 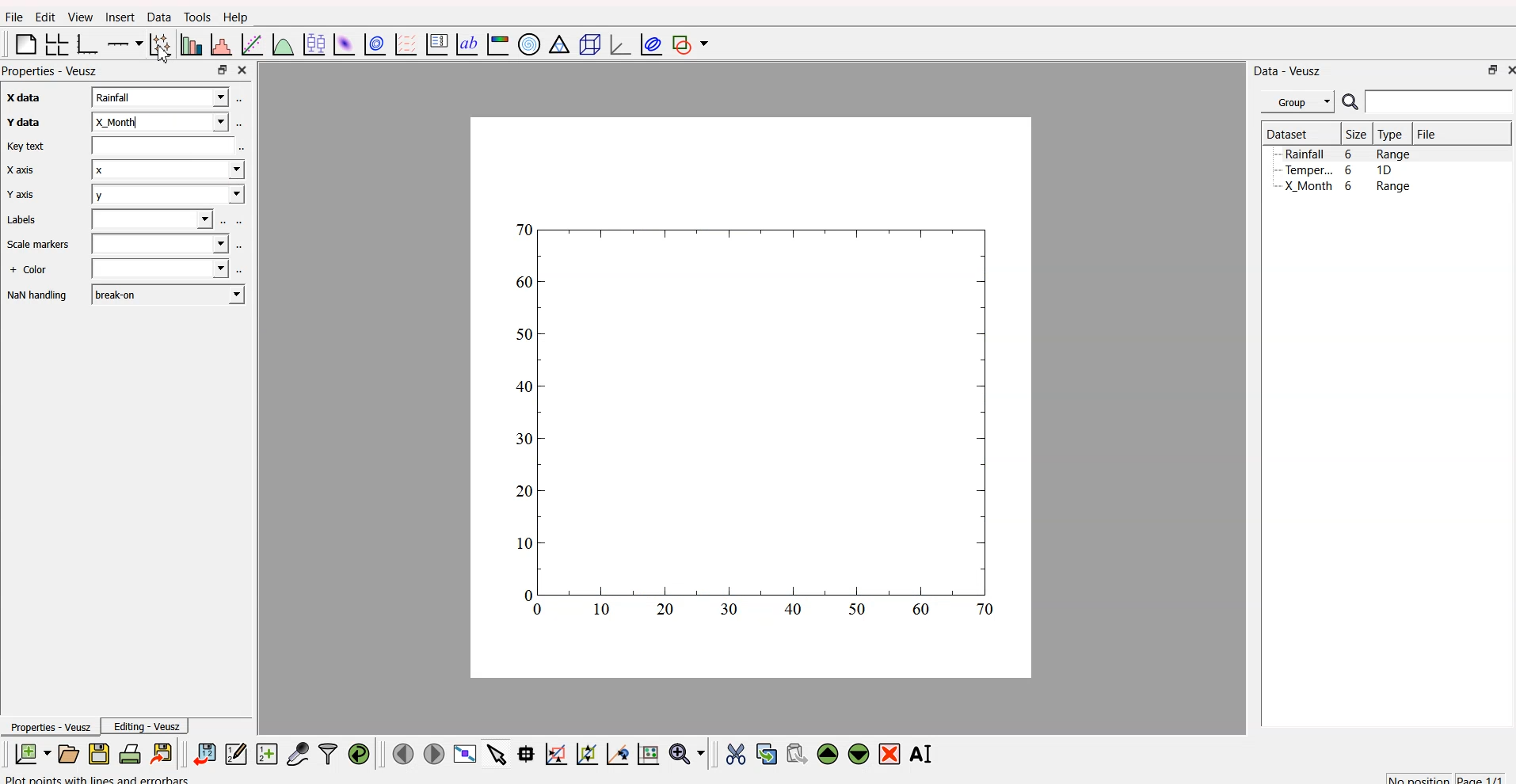 I want to click on save a document, so click(x=97, y=753).